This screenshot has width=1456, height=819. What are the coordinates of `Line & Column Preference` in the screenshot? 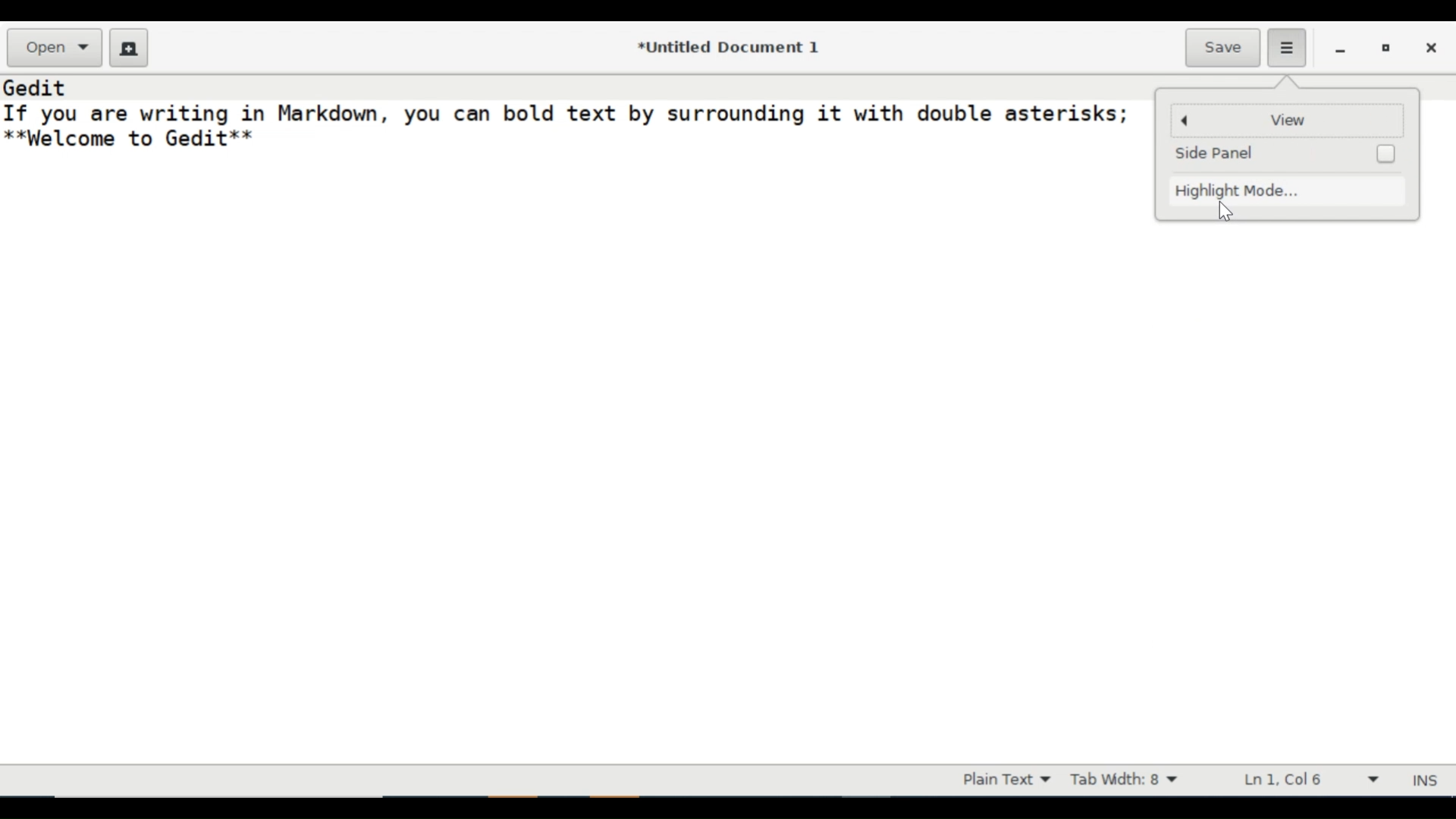 It's located at (1316, 779).